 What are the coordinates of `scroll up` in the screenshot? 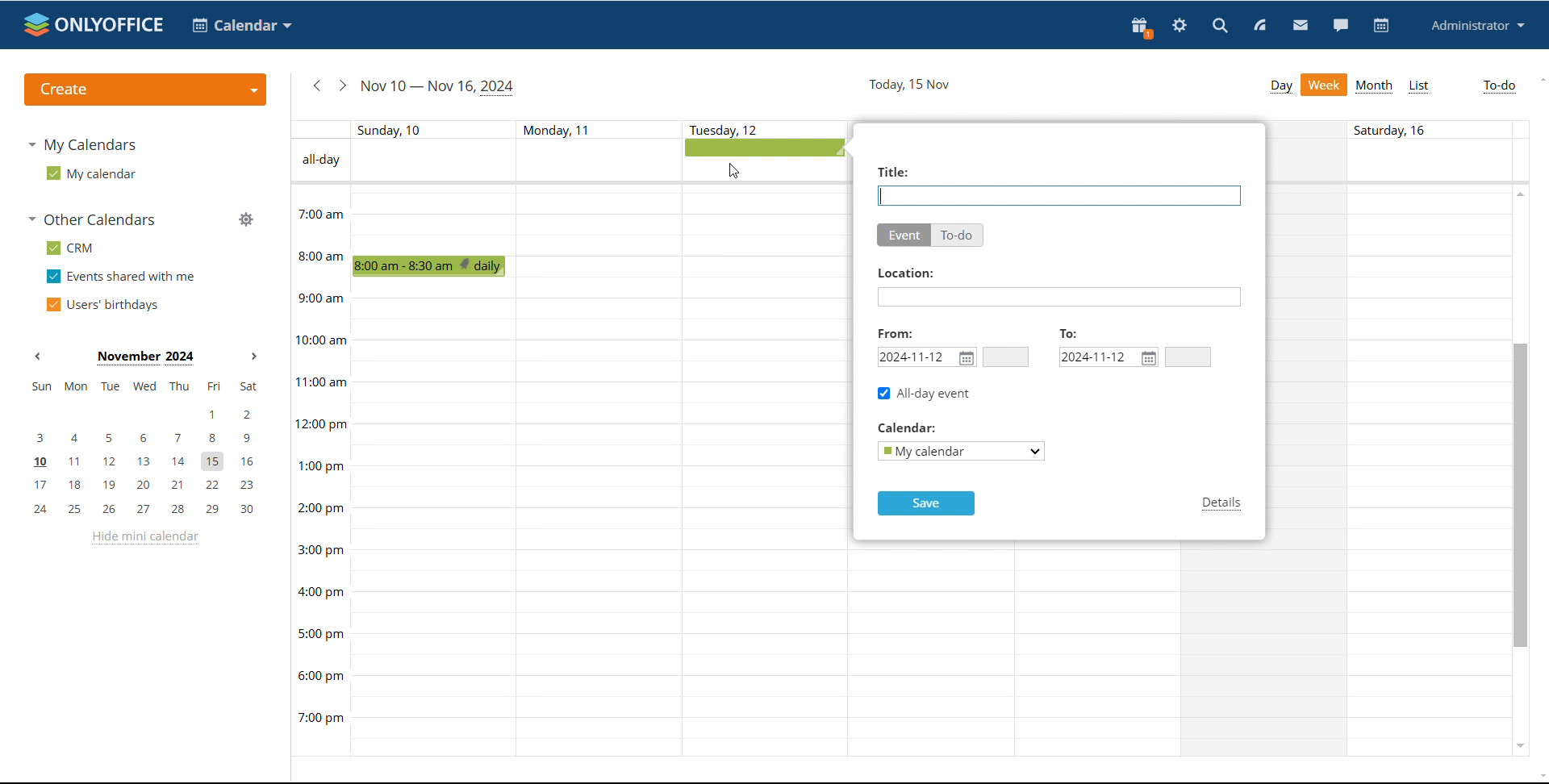 It's located at (1539, 78).